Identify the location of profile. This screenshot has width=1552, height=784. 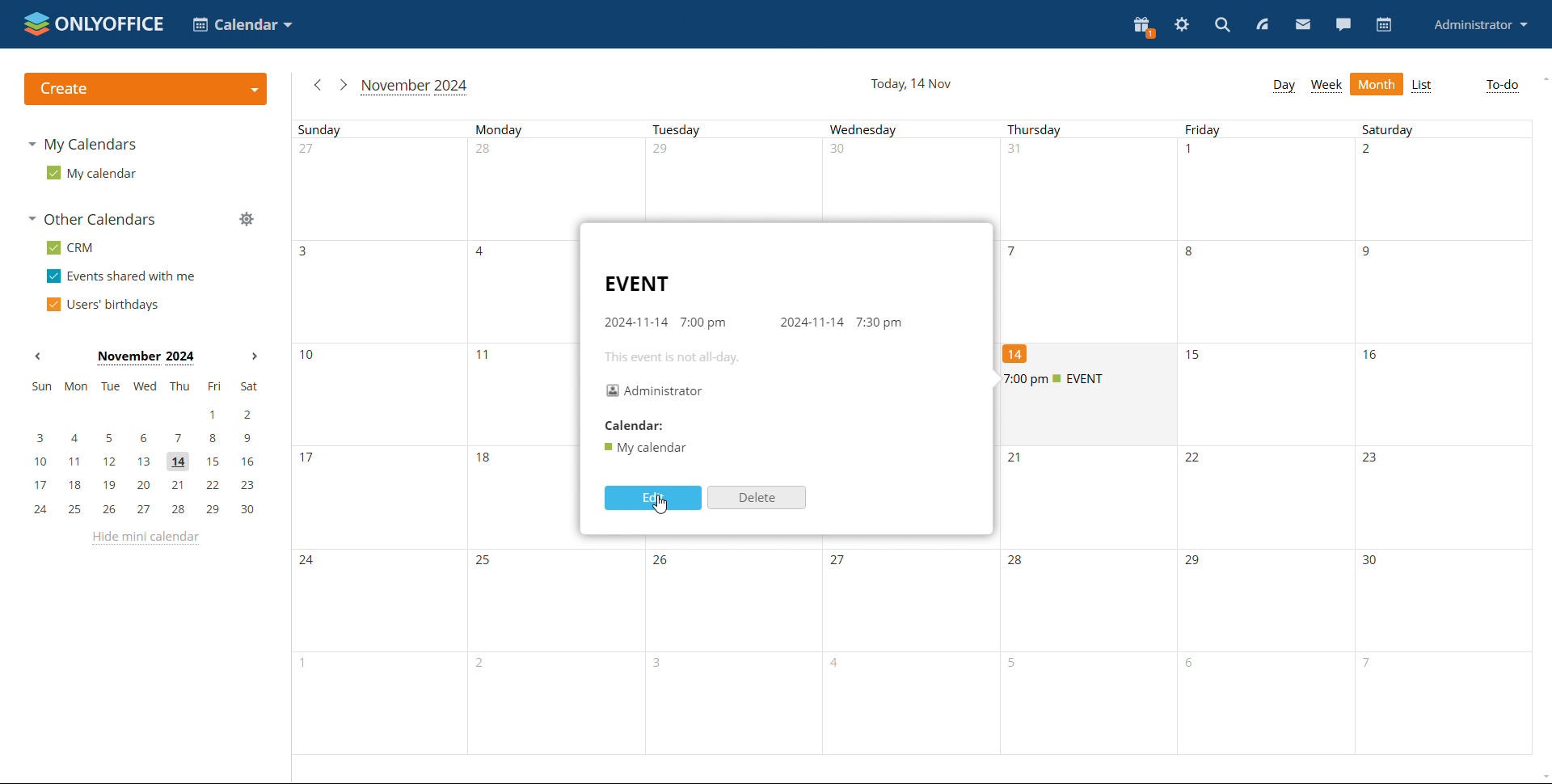
(1478, 26).